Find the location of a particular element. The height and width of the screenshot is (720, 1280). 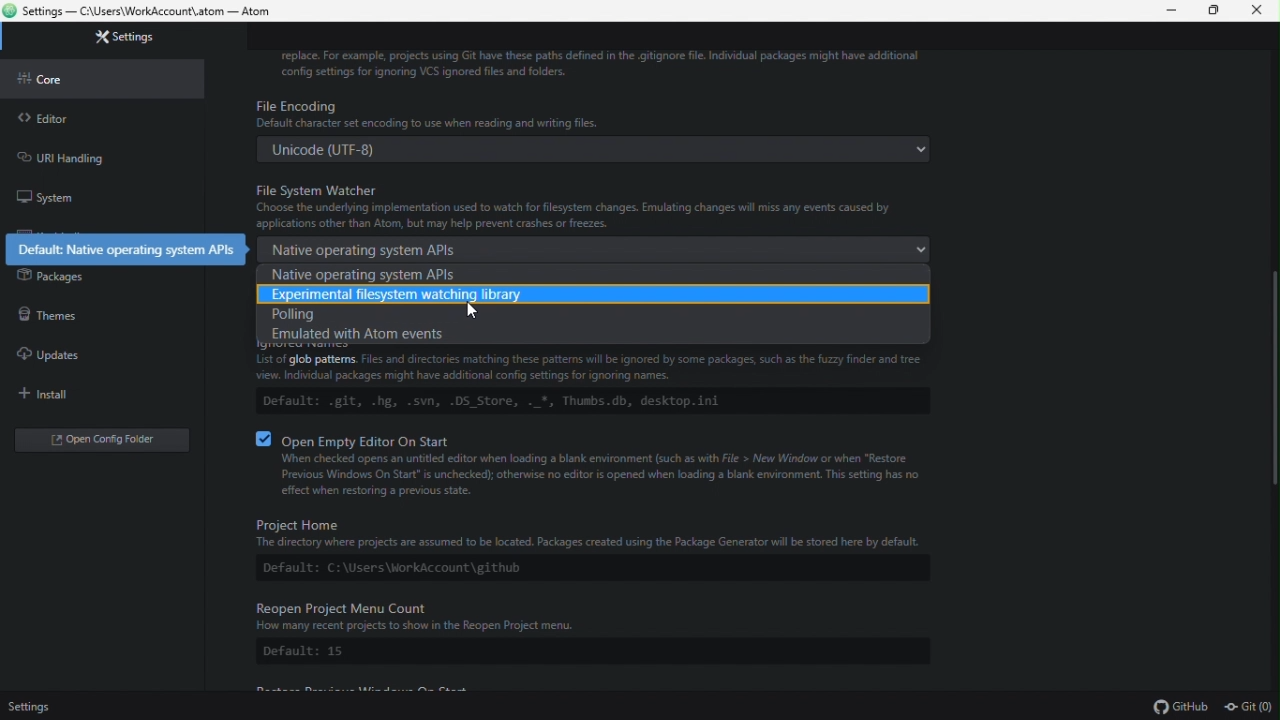

Settings is located at coordinates (40, 707).